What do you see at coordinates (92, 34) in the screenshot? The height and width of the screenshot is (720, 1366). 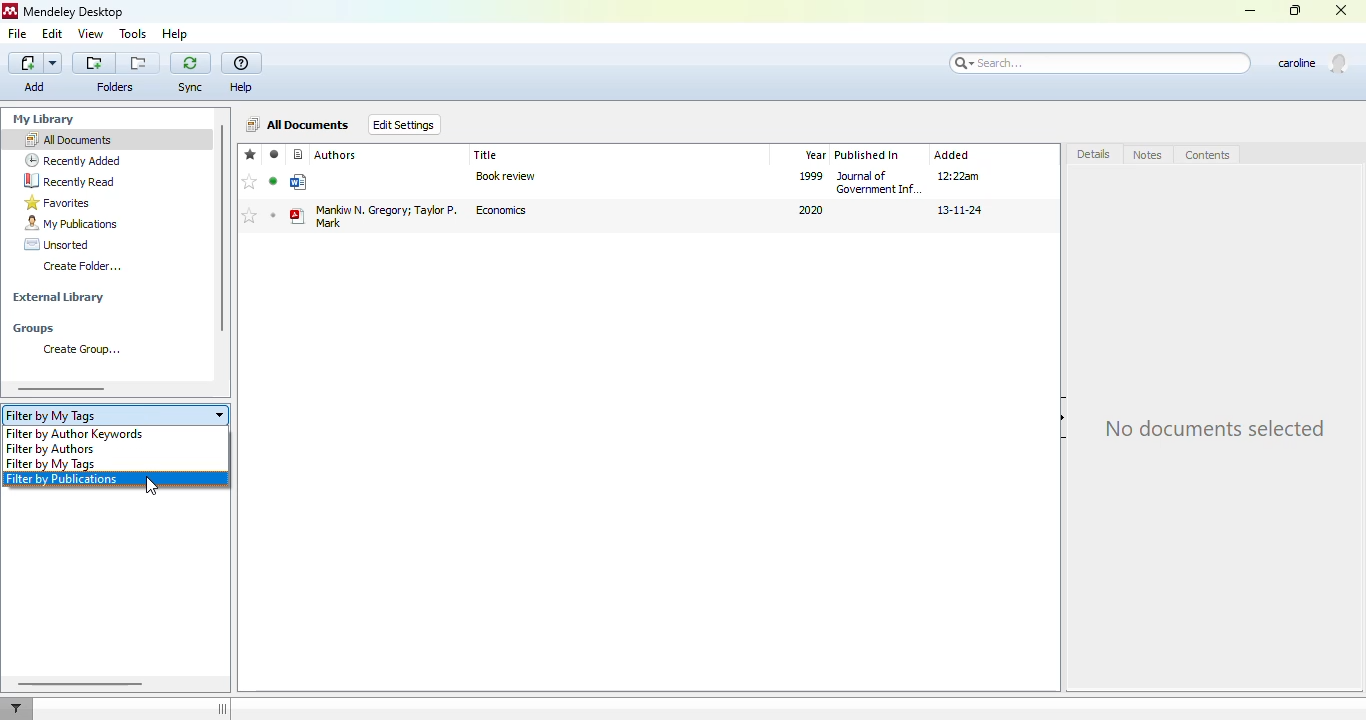 I see `view` at bounding box center [92, 34].